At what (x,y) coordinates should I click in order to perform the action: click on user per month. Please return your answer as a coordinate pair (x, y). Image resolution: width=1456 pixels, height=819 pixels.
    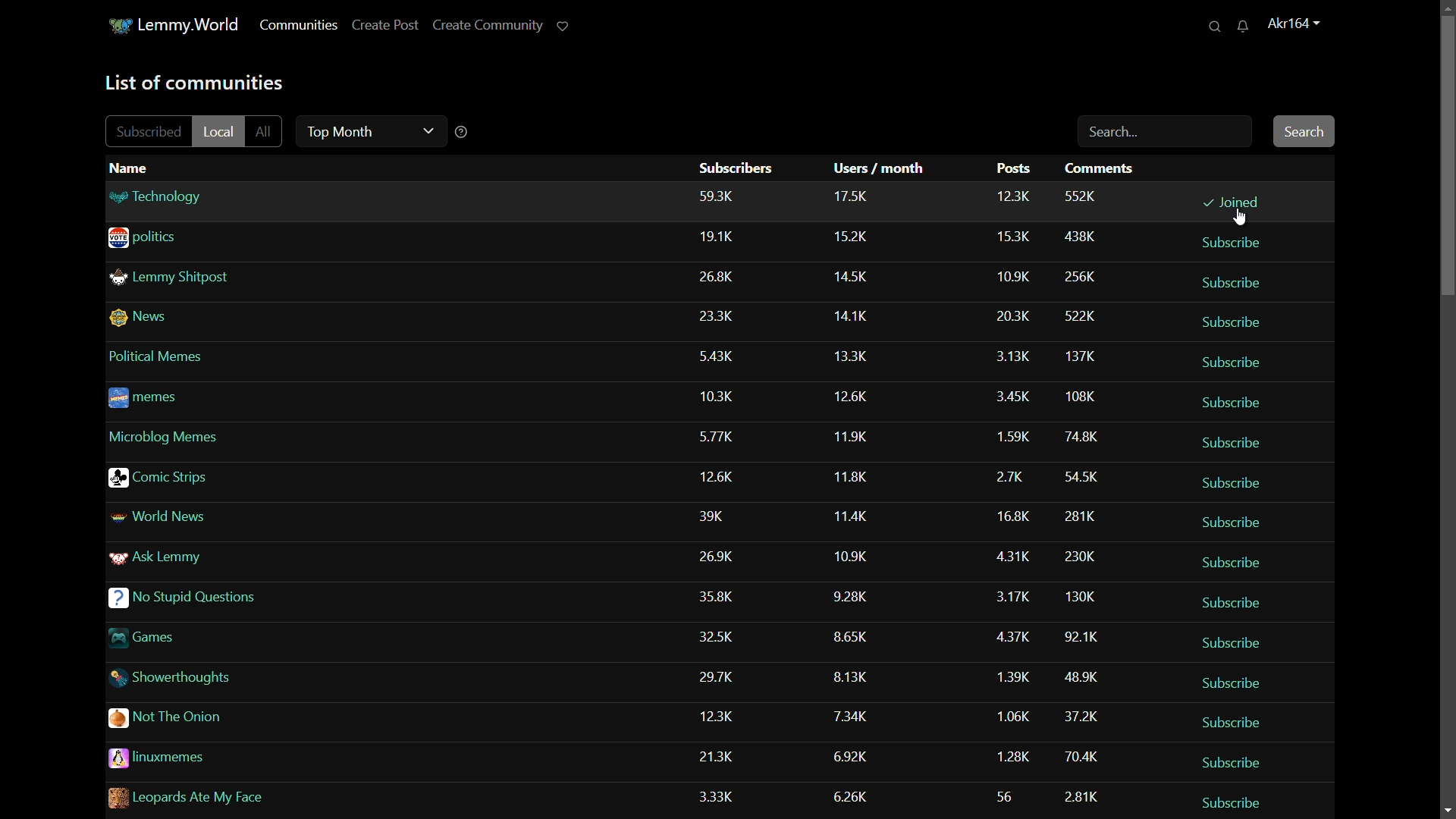
    Looking at the image, I should click on (855, 196).